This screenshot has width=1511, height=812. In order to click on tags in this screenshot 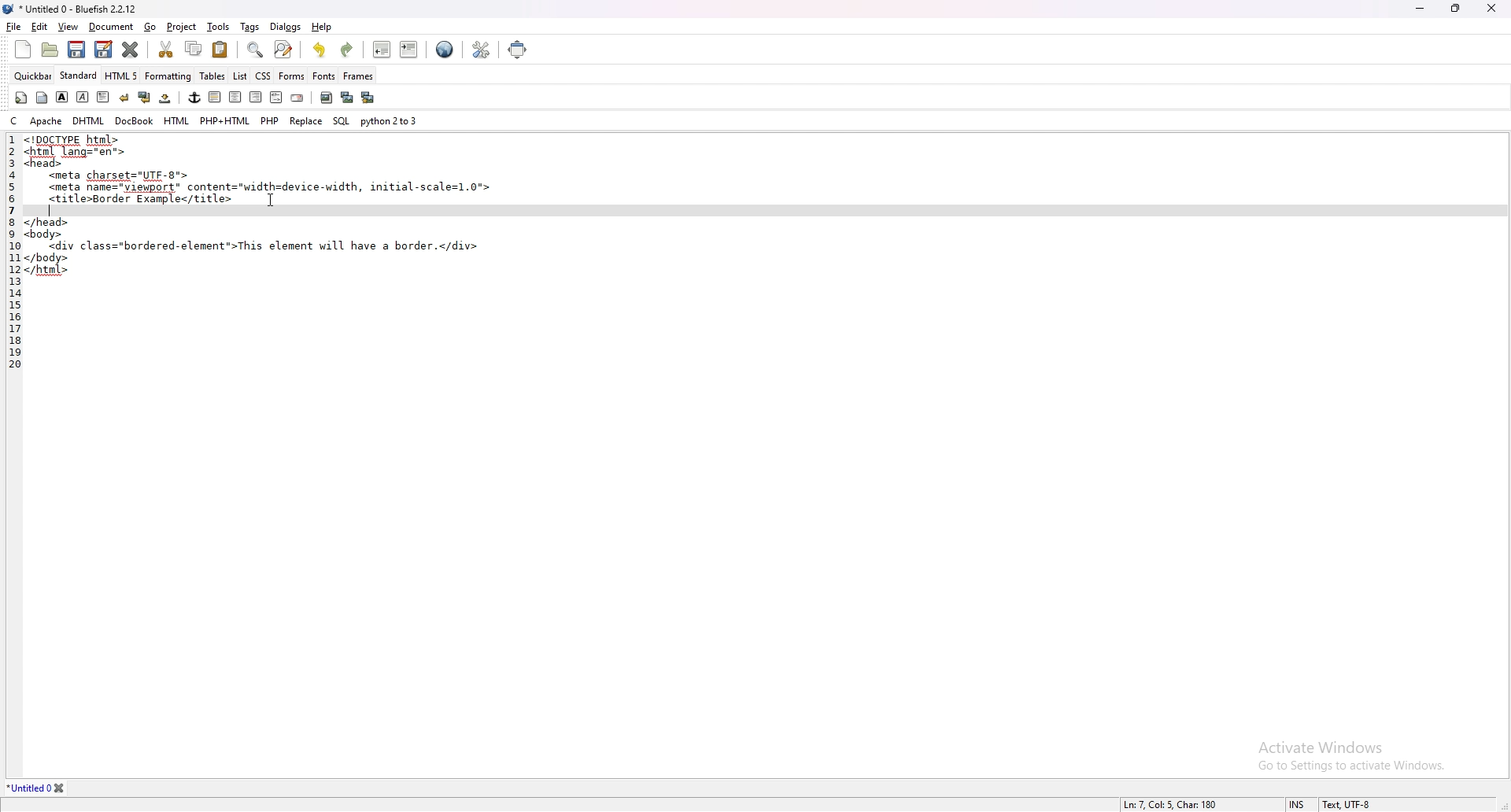, I will do `click(251, 28)`.